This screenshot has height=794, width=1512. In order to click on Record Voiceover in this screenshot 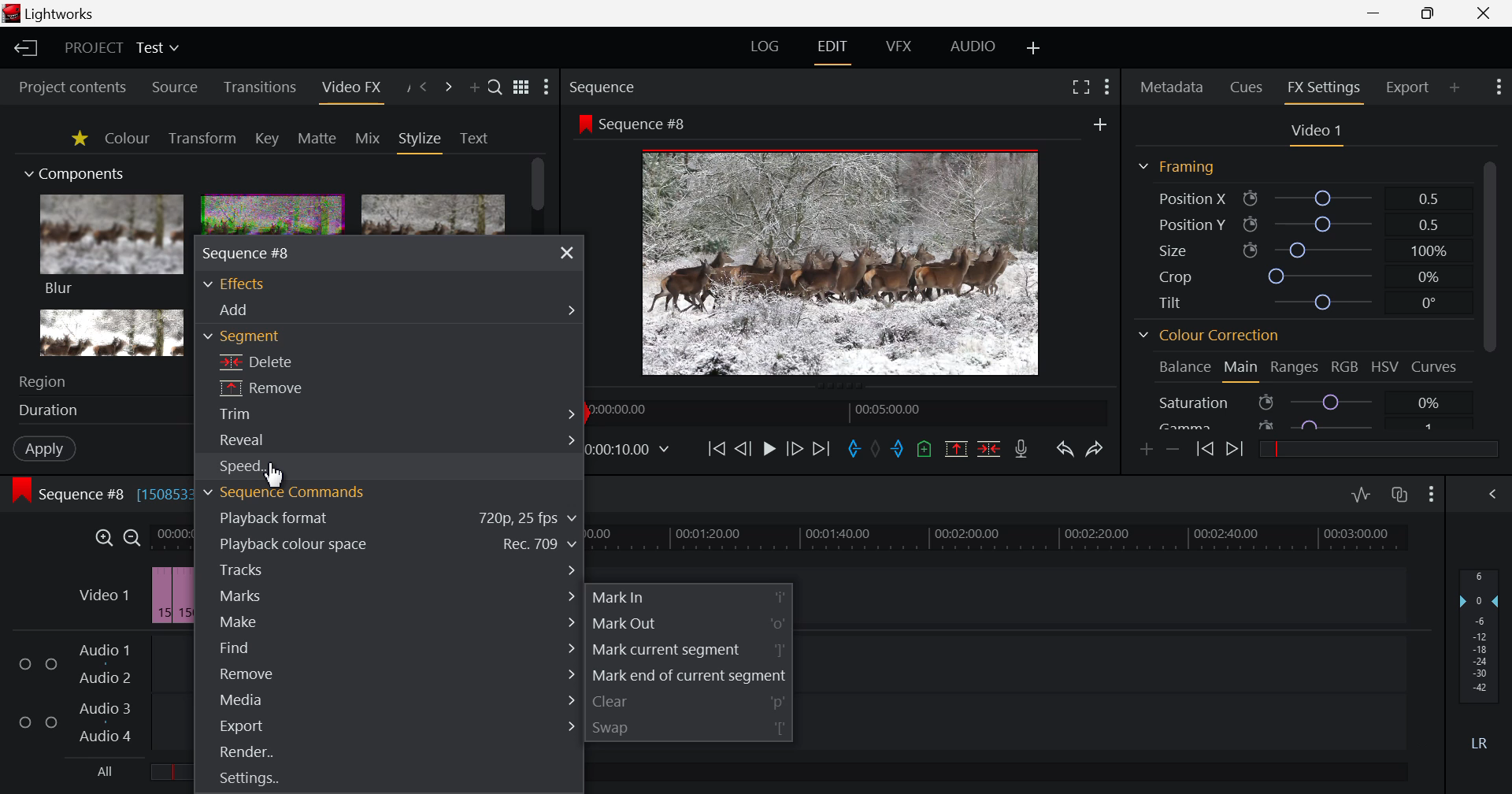, I will do `click(1024, 449)`.